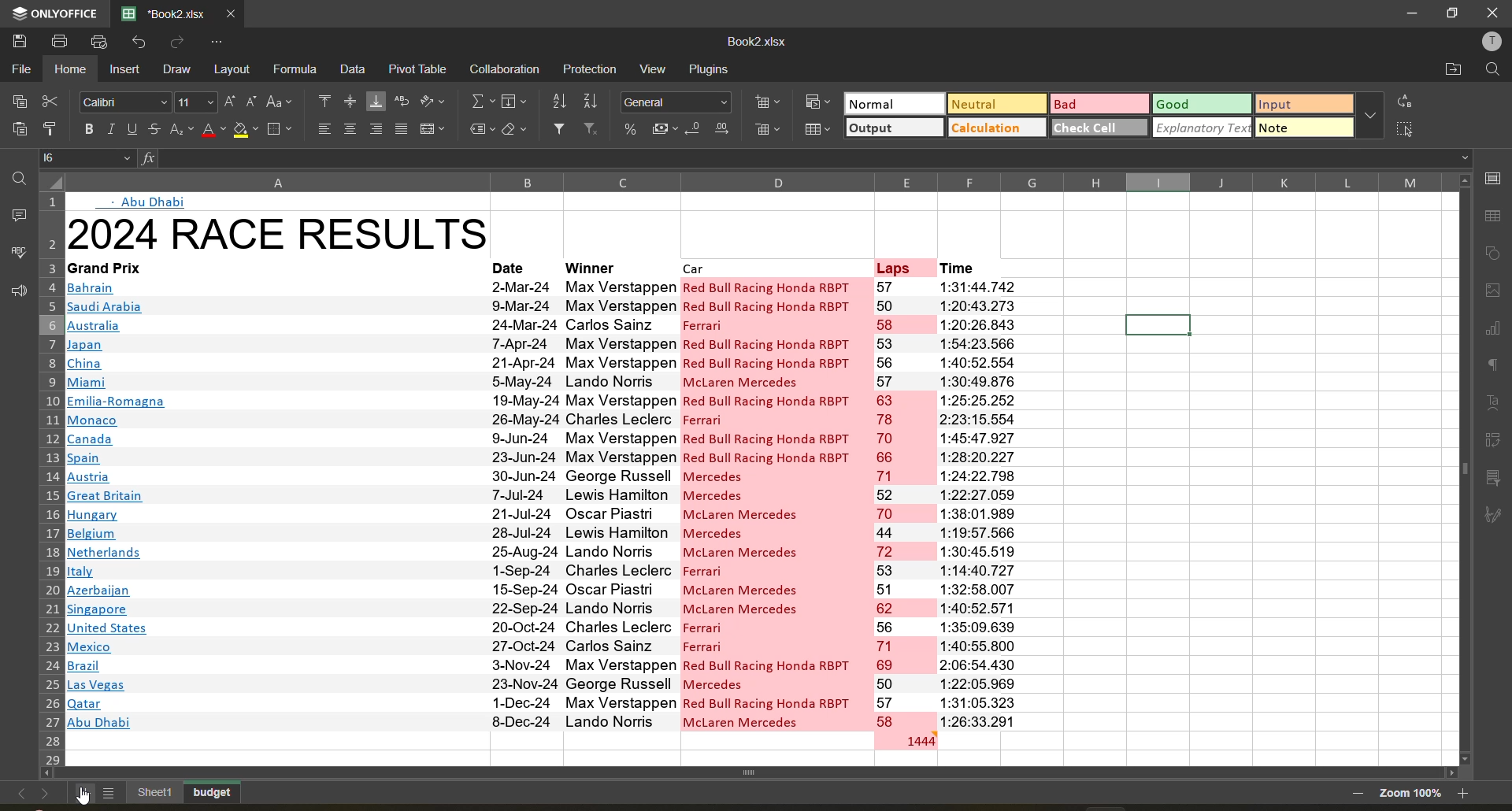 The height and width of the screenshot is (811, 1512). What do you see at coordinates (269, 503) in the screenshot?
I see `names` at bounding box center [269, 503].